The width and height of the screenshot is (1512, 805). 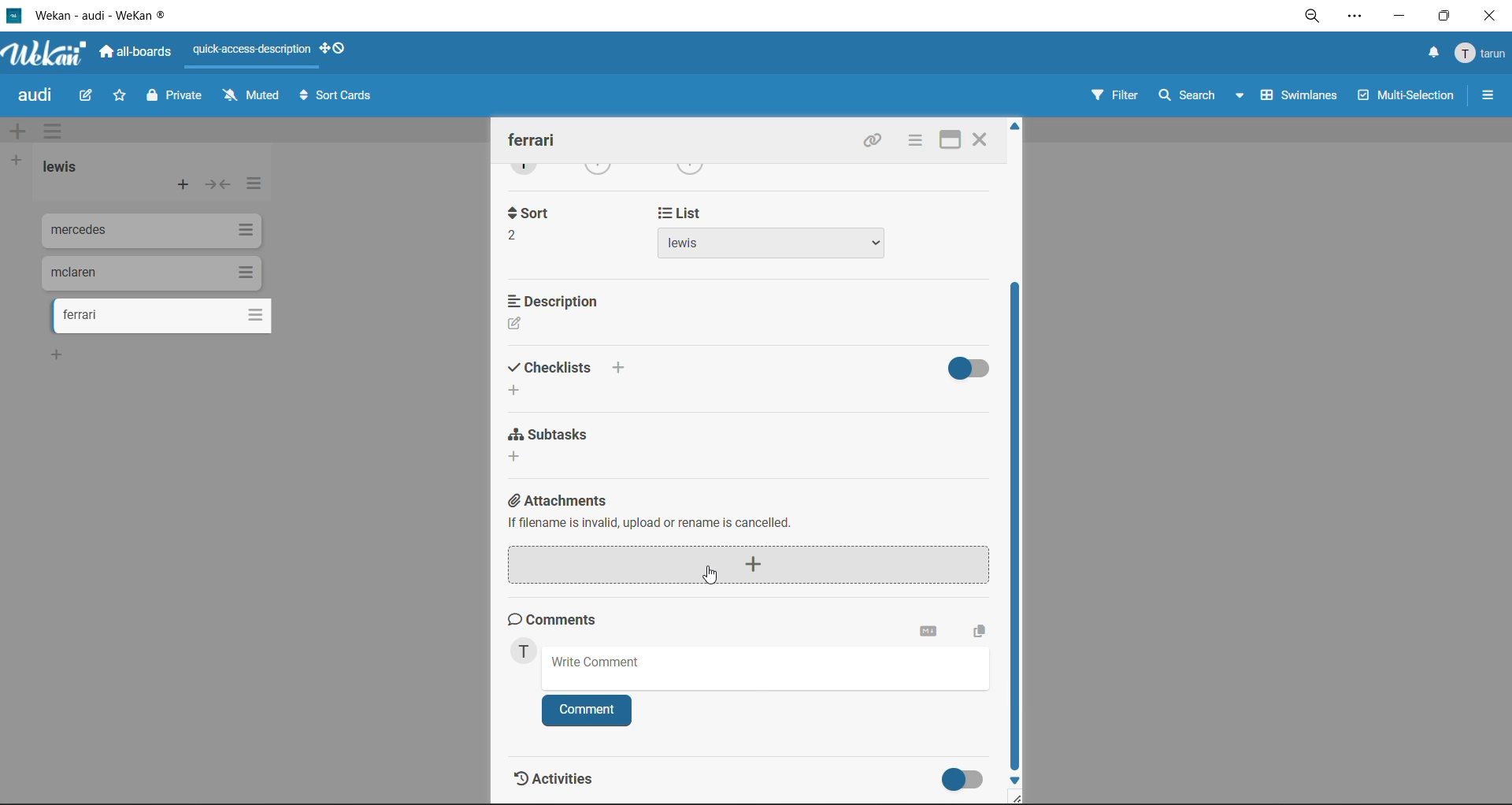 What do you see at coordinates (756, 540) in the screenshot?
I see `attachments` at bounding box center [756, 540].